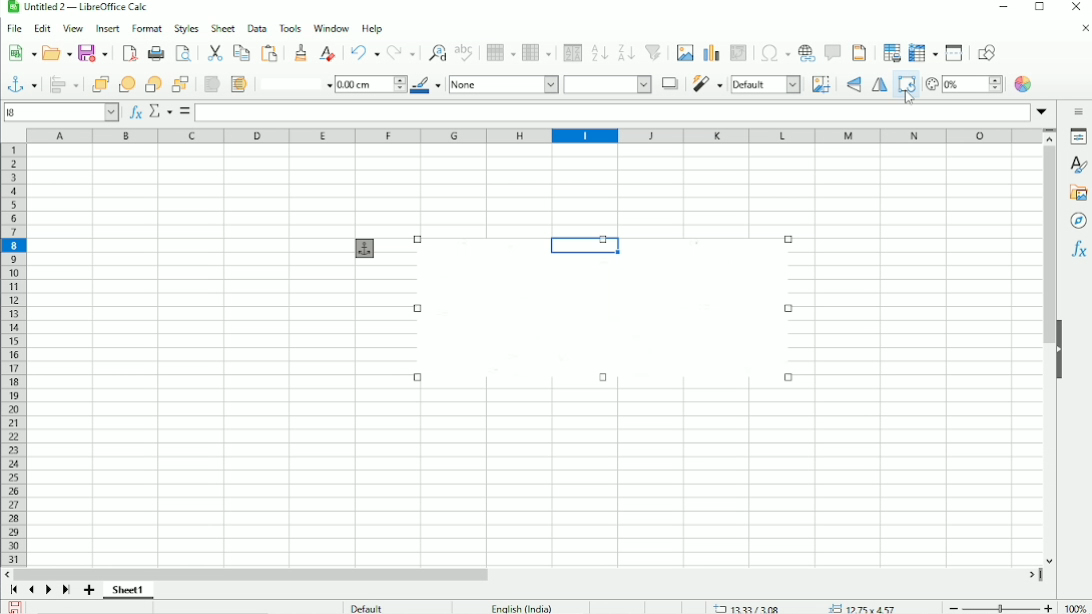 The image size is (1092, 614). What do you see at coordinates (66, 591) in the screenshot?
I see `Scroll to last sheet` at bounding box center [66, 591].